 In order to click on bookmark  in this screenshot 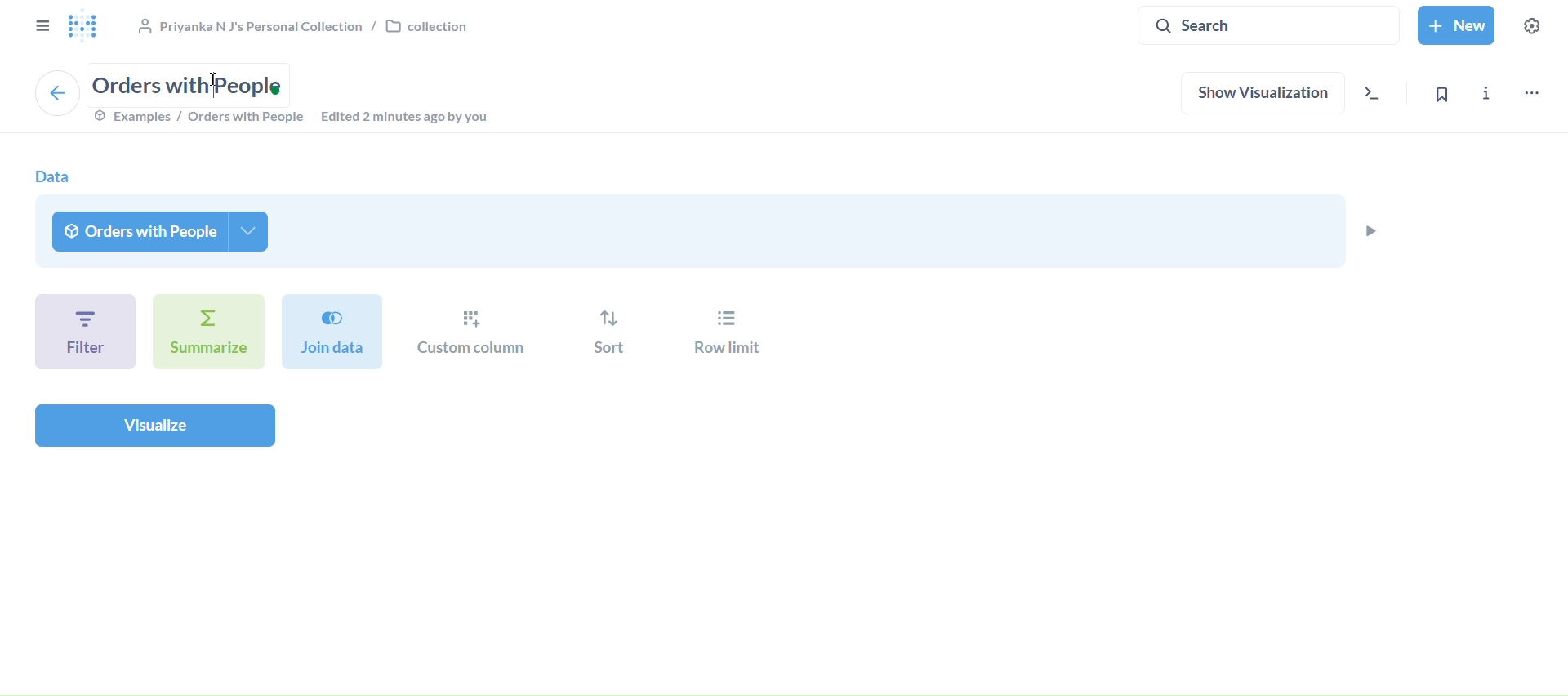, I will do `click(1450, 94)`.